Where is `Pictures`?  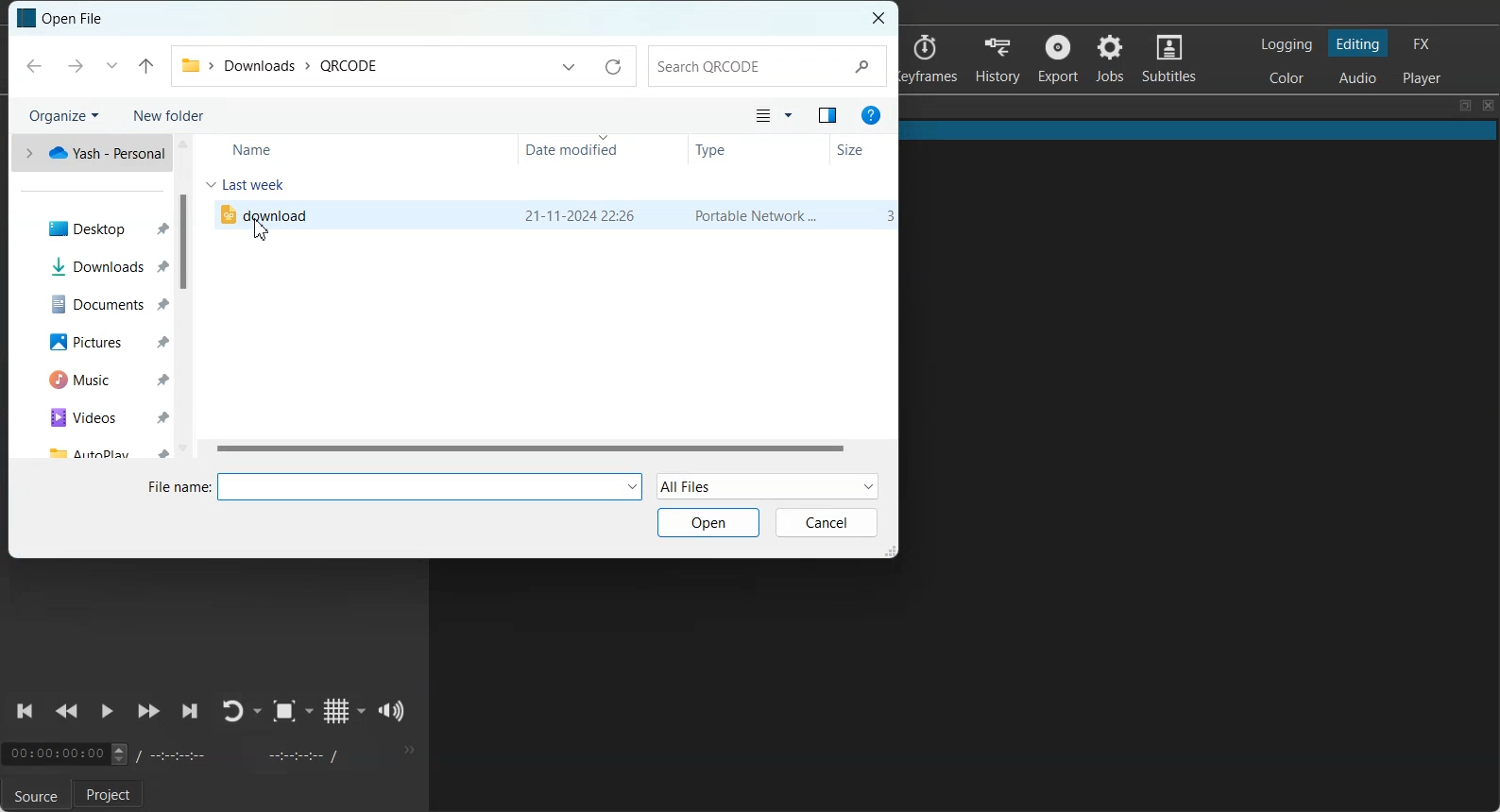
Pictures is located at coordinates (100, 342).